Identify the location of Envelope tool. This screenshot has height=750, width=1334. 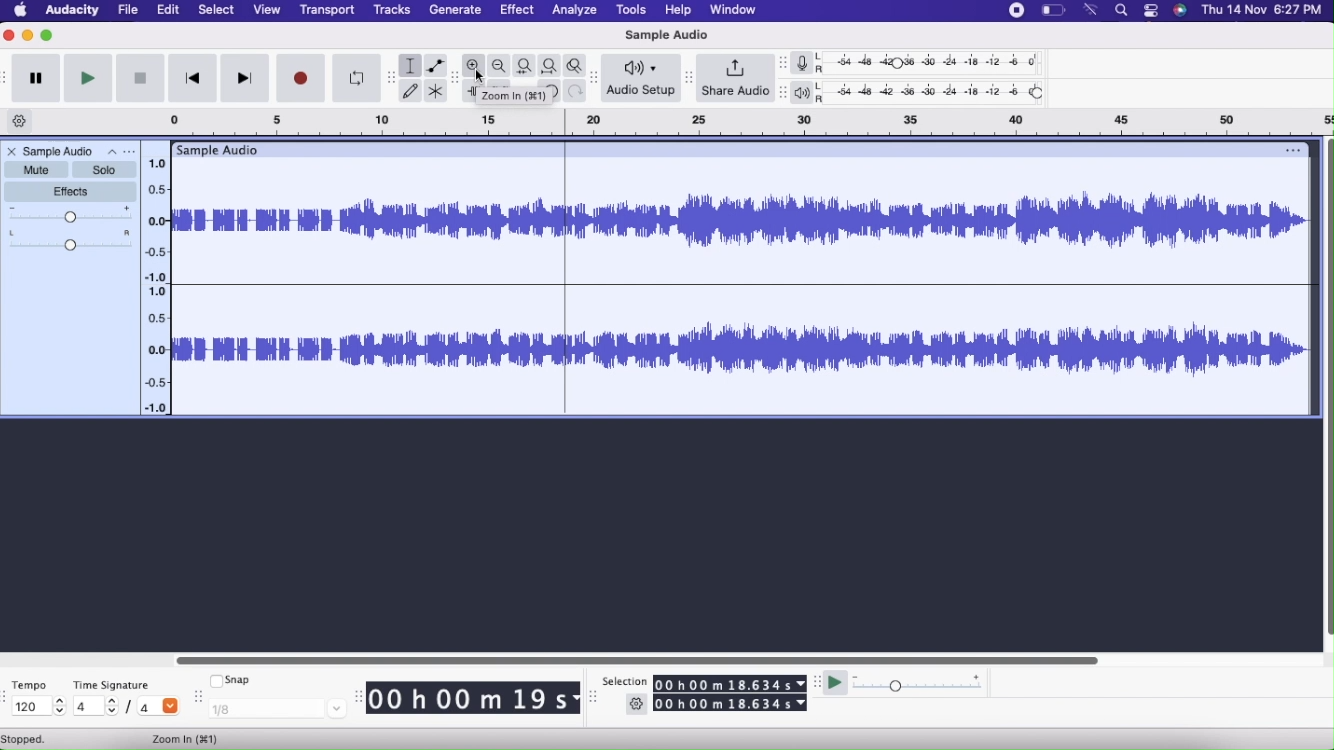
(439, 65).